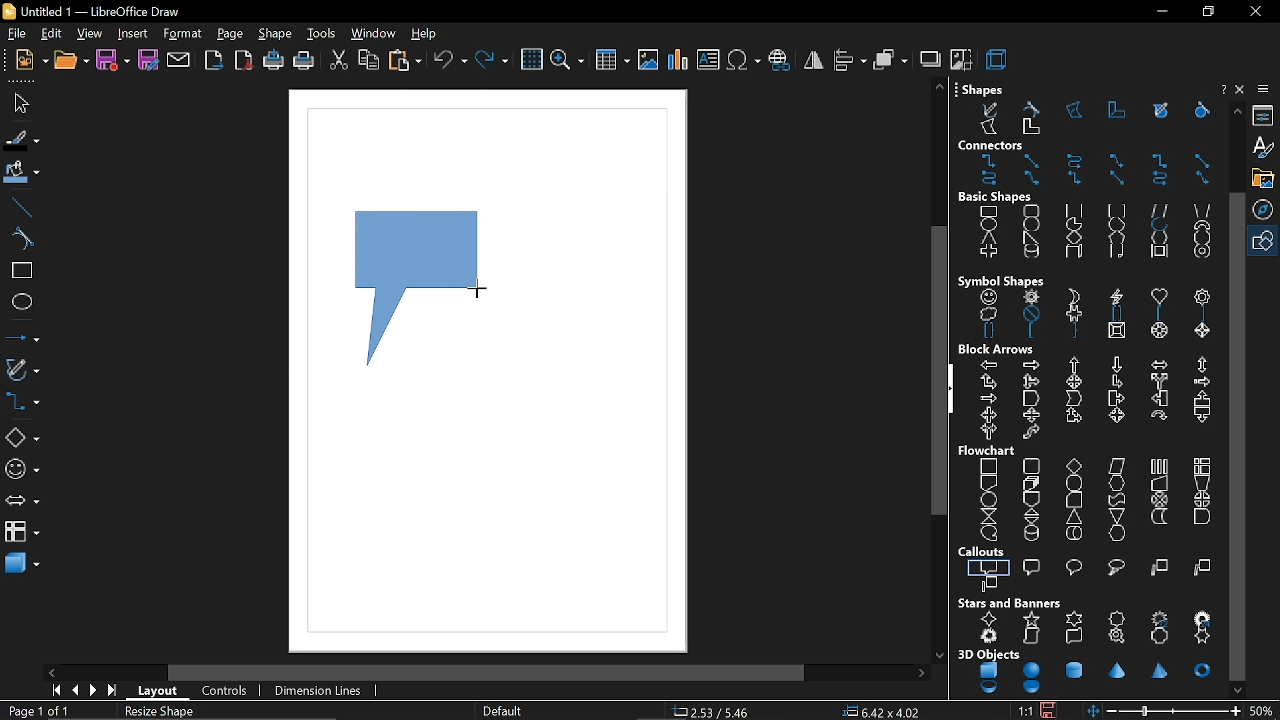 The image size is (1280, 720). I want to click on stored data, so click(1158, 517).